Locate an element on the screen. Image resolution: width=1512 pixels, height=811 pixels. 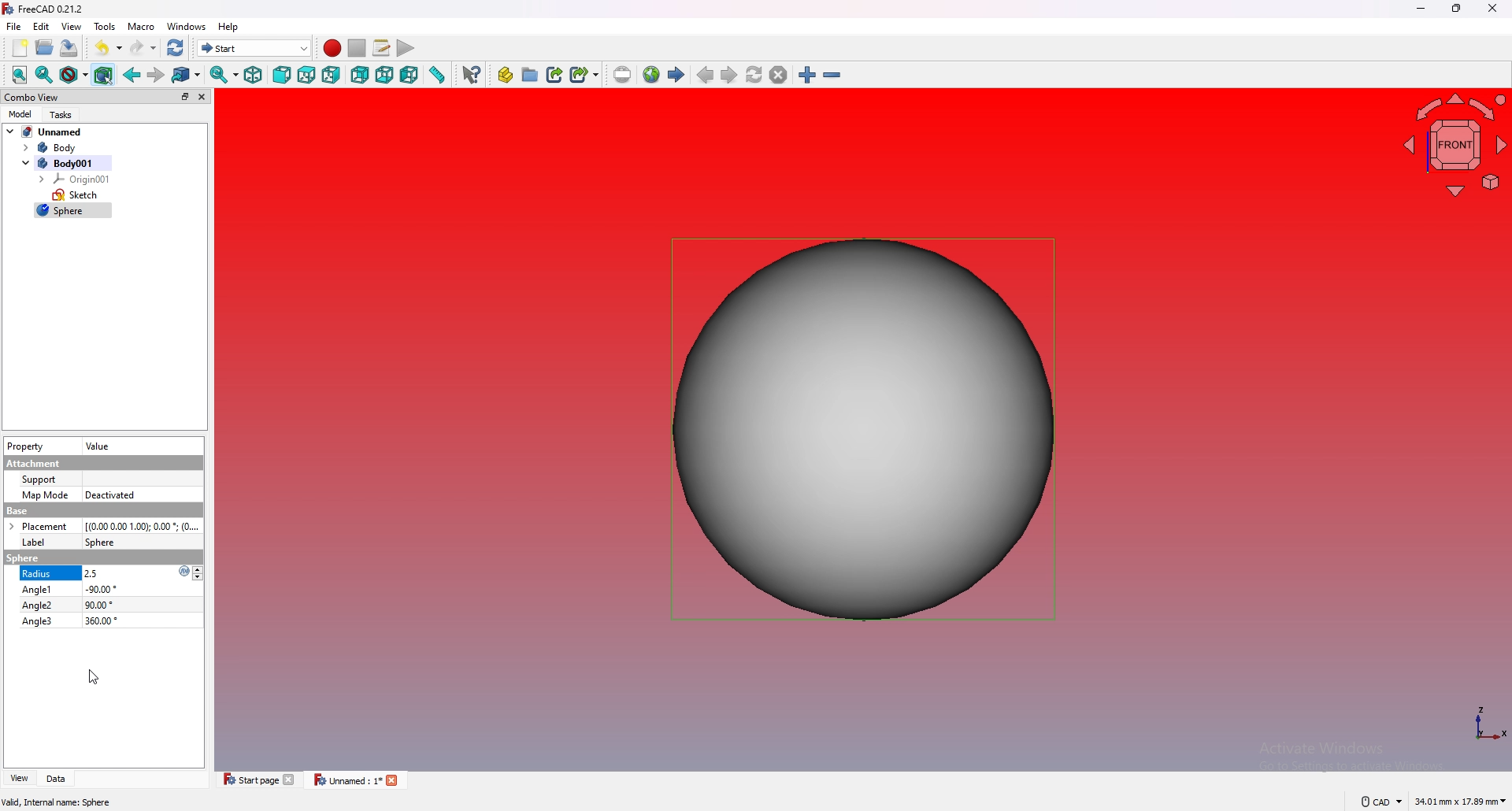
CAD navigation is located at coordinates (1380, 801).